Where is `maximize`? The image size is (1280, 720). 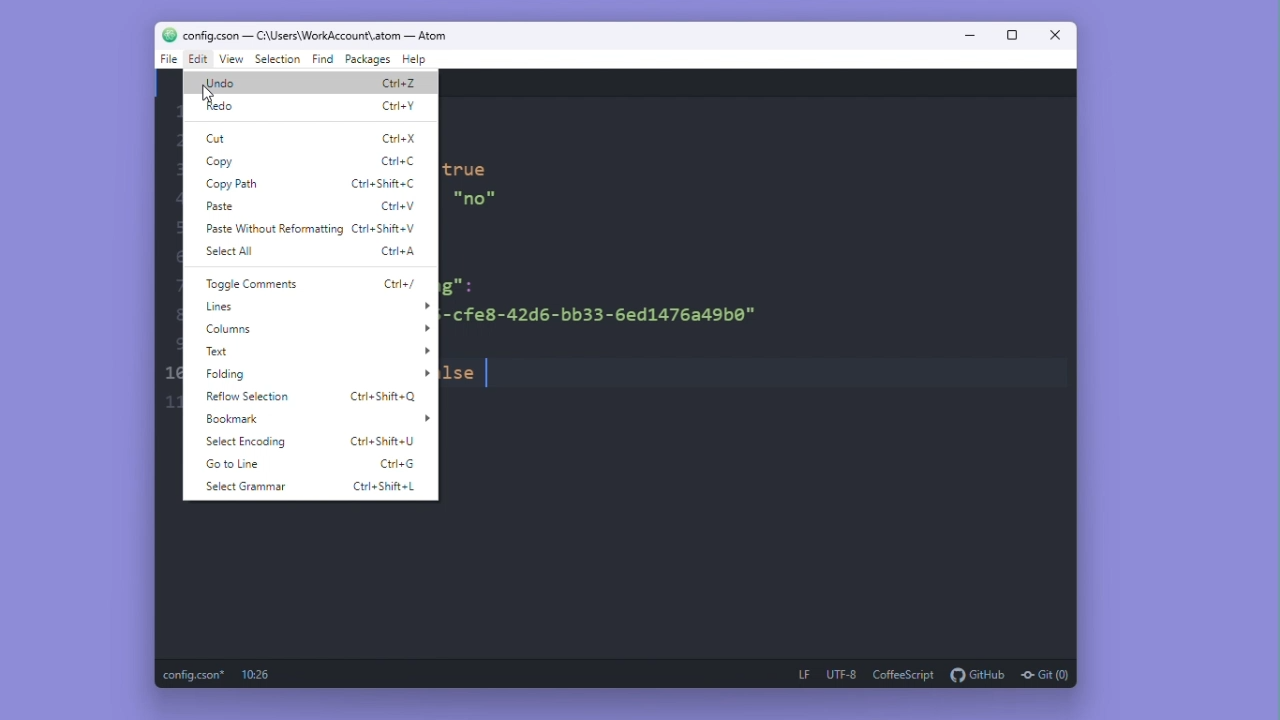
maximize is located at coordinates (1017, 34).